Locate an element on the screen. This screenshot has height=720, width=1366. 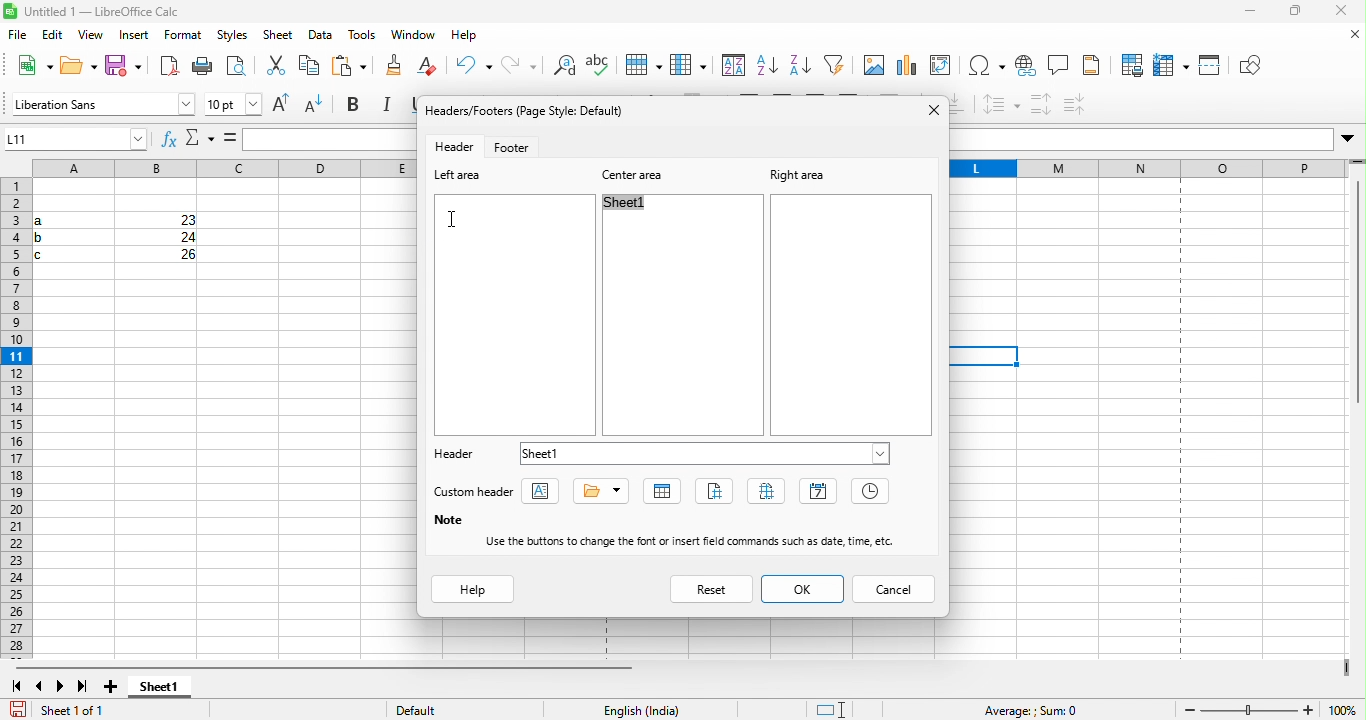
new is located at coordinates (33, 66).